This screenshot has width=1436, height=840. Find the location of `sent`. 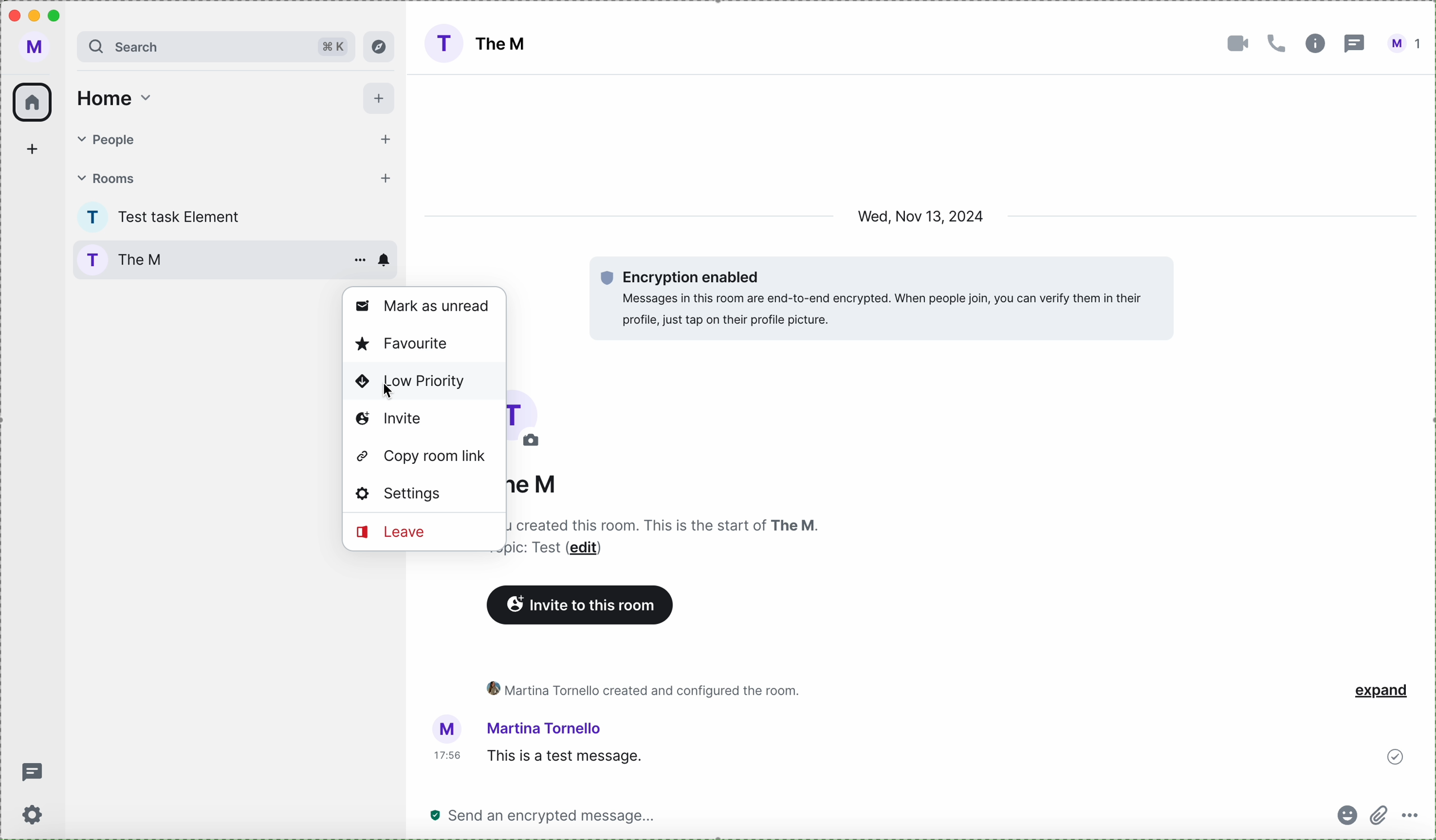

sent is located at coordinates (1396, 756).